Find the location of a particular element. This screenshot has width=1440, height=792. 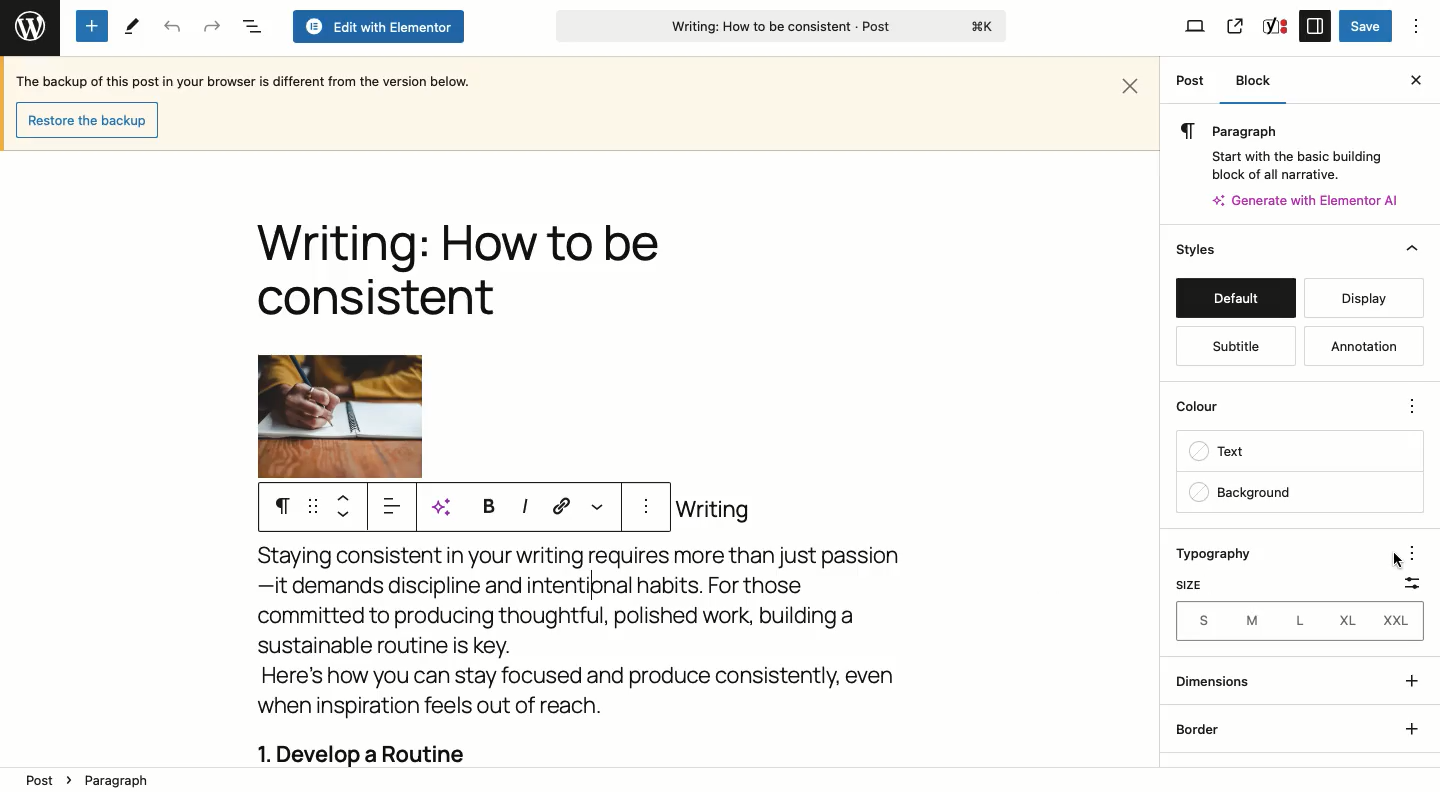

Document overview is located at coordinates (251, 27).